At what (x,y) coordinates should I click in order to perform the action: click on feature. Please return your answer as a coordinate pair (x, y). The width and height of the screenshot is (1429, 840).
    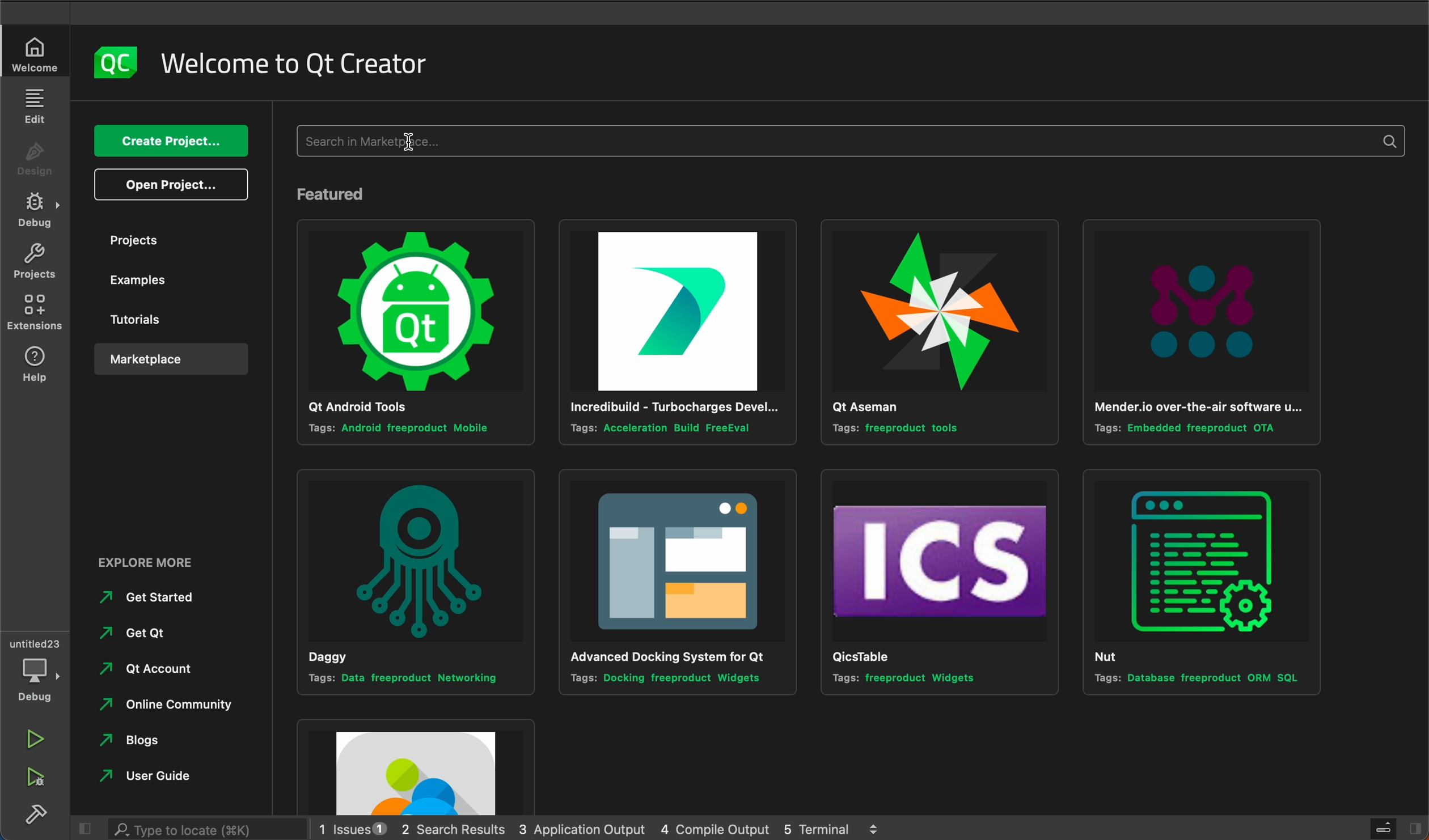
    Looking at the image, I should click on (341, 193).